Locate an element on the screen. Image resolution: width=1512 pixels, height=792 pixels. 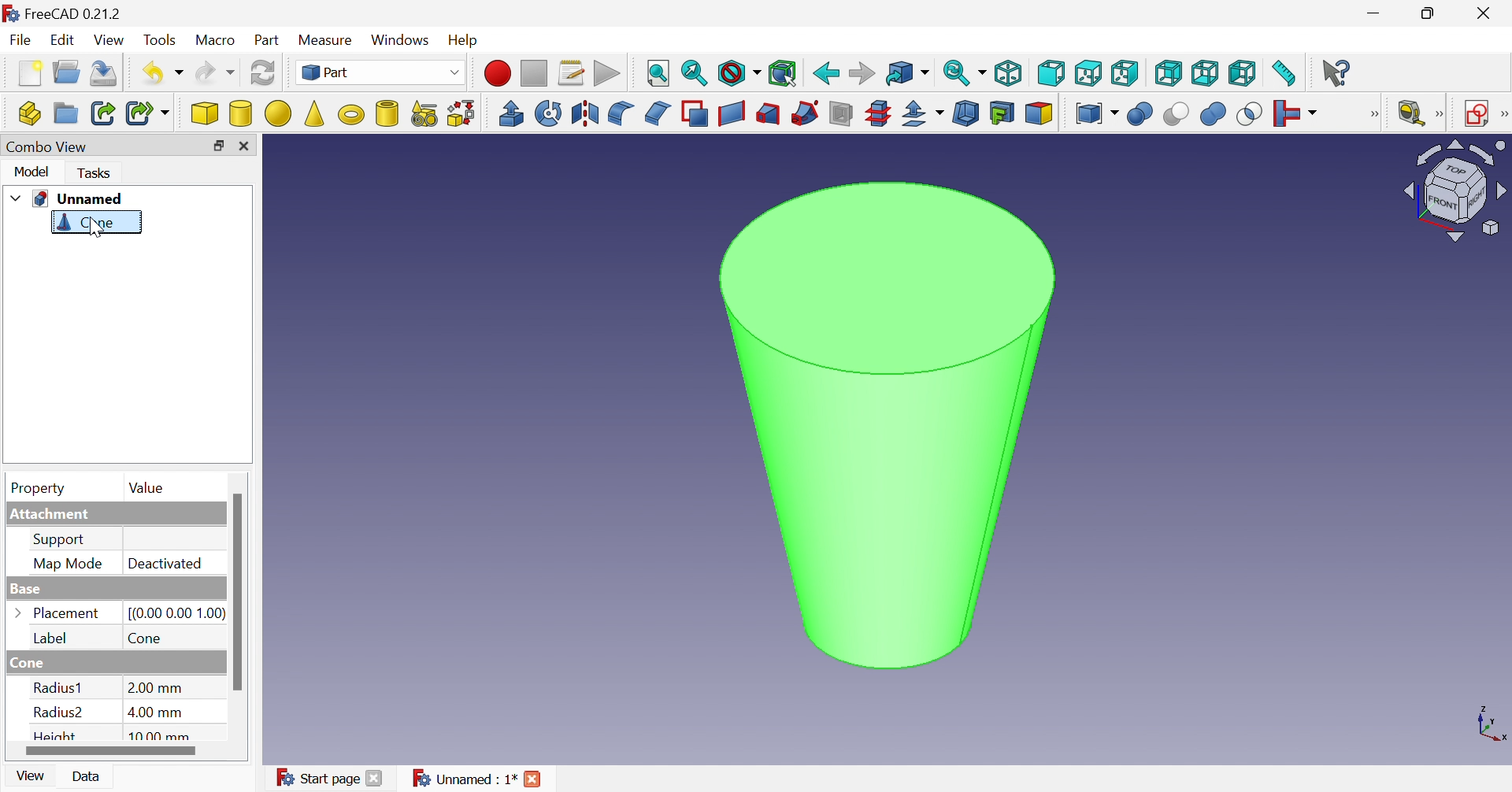
Create group is located at coordinates (65, 113).